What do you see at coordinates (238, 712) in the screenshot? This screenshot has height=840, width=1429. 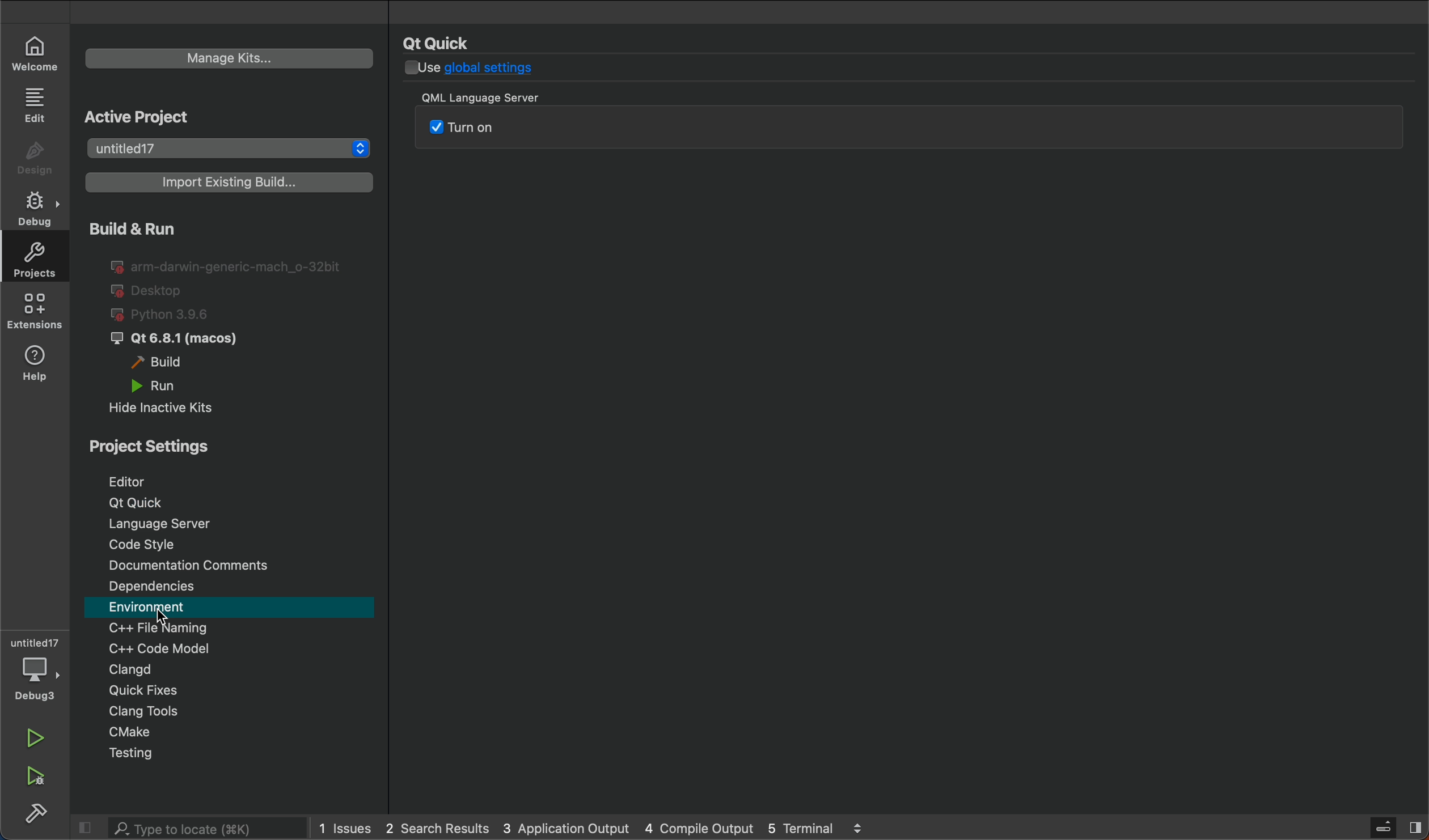 I see `Clang tool` at bounding box center [238, 712].